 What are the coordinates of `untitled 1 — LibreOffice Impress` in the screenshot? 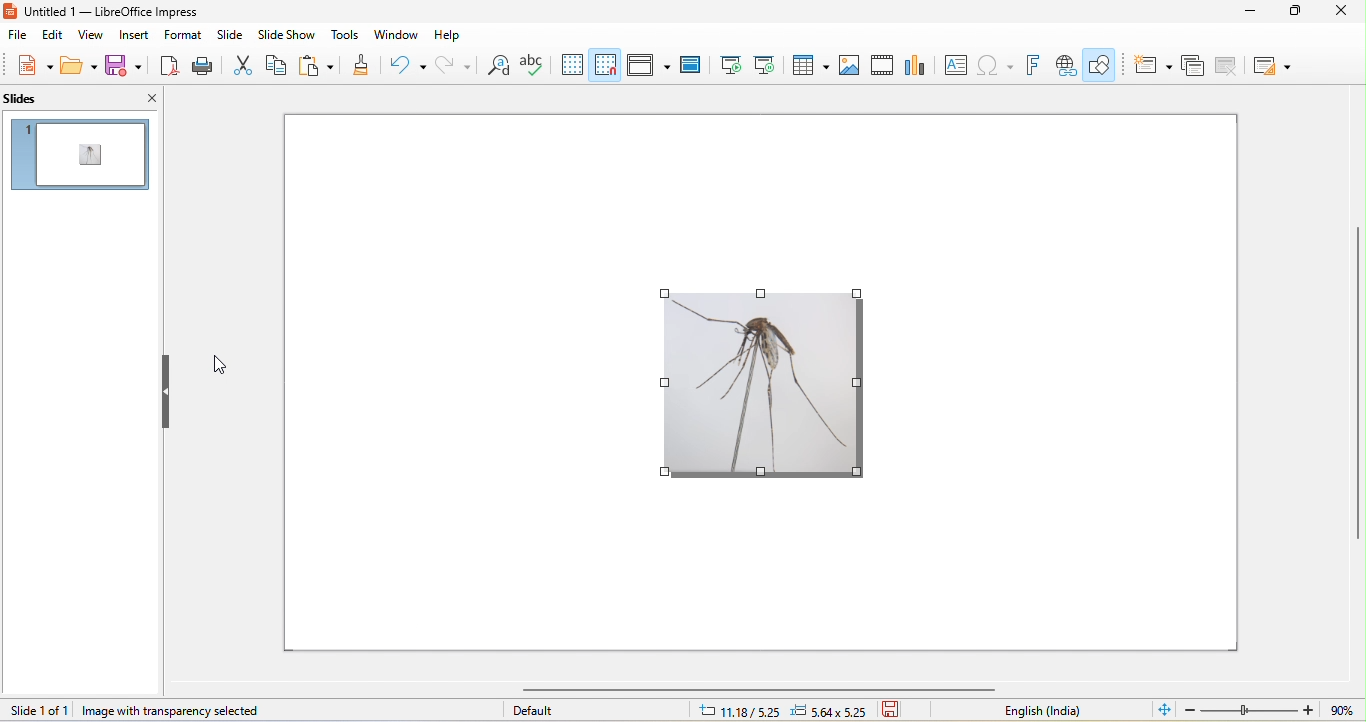 It's located at (116, 11).